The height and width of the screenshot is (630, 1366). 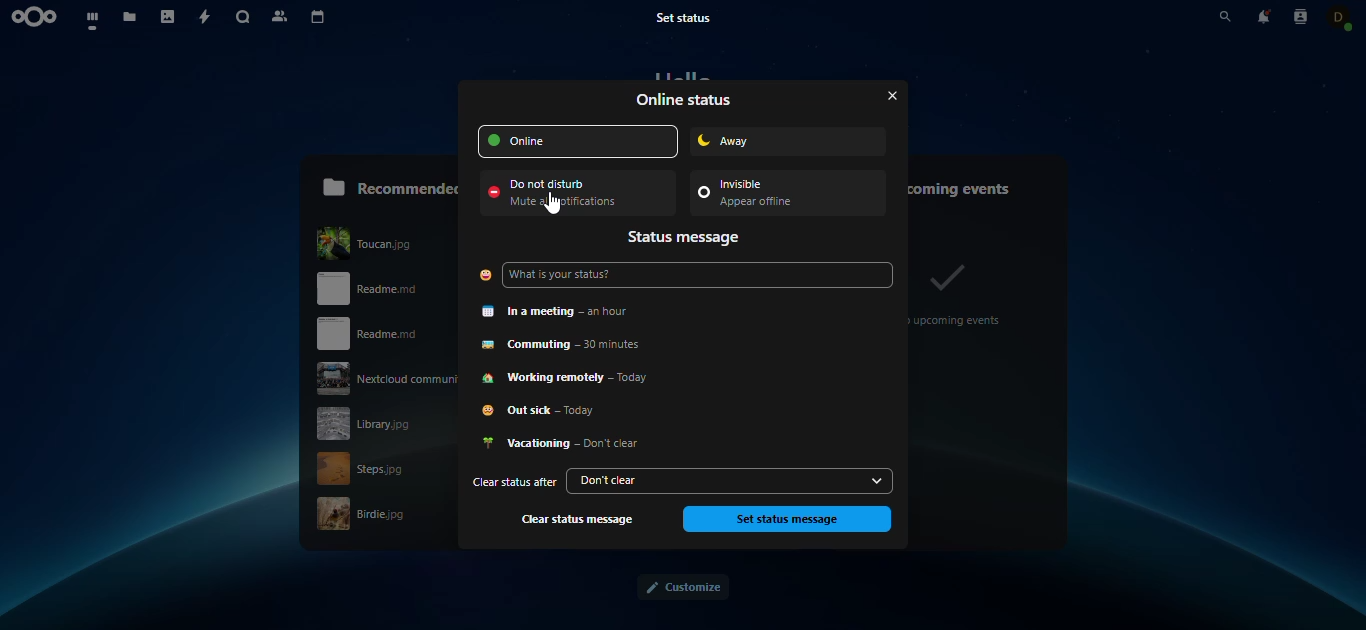 What do you see at coordinates (132, 19) in the screenshot?
I see `files` at bounding box center [132, 19].